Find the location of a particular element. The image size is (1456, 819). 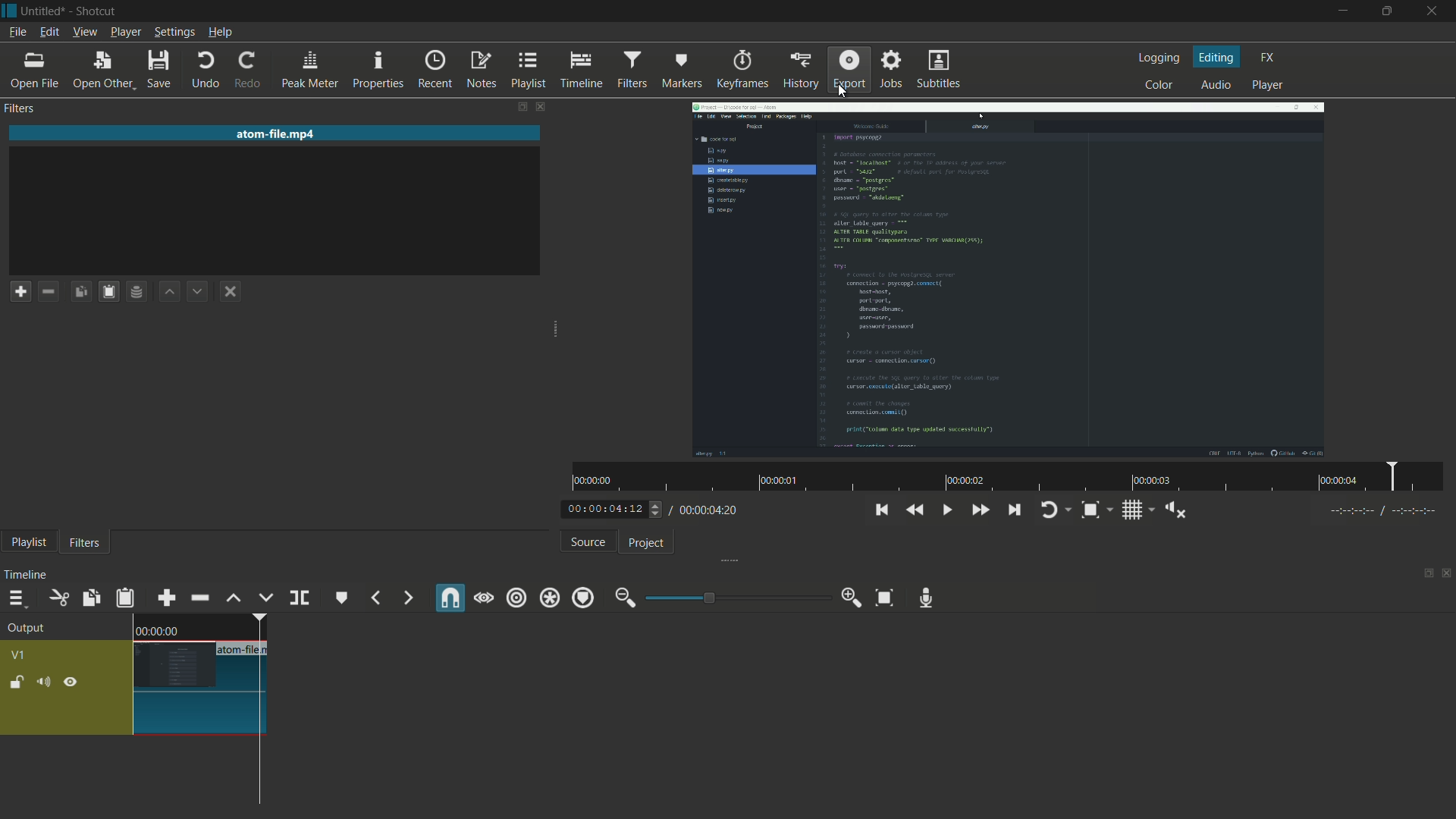

lock is located at coordinates (17, 682).